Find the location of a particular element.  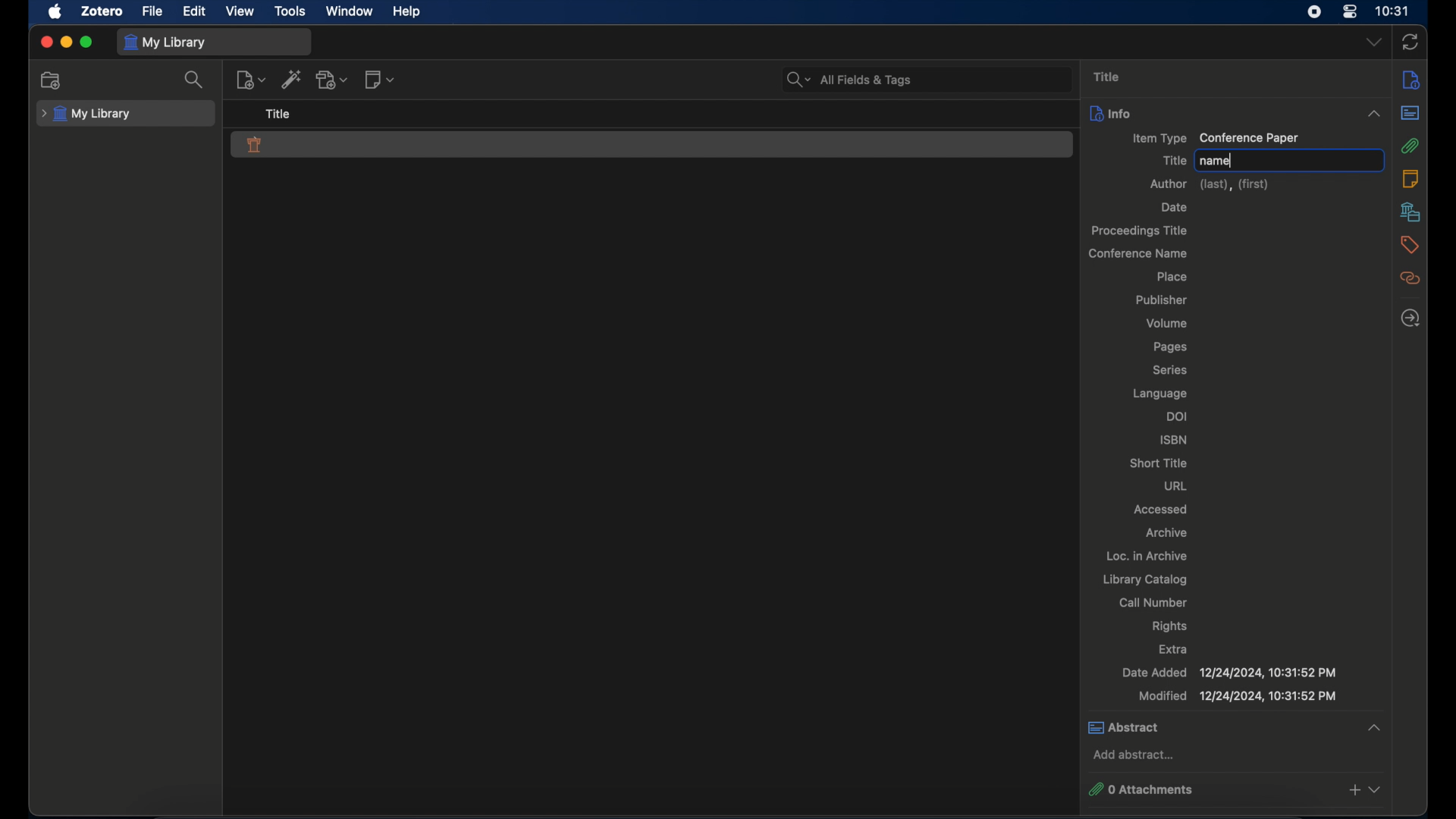

conference name is located at coordinates (1137, 254).